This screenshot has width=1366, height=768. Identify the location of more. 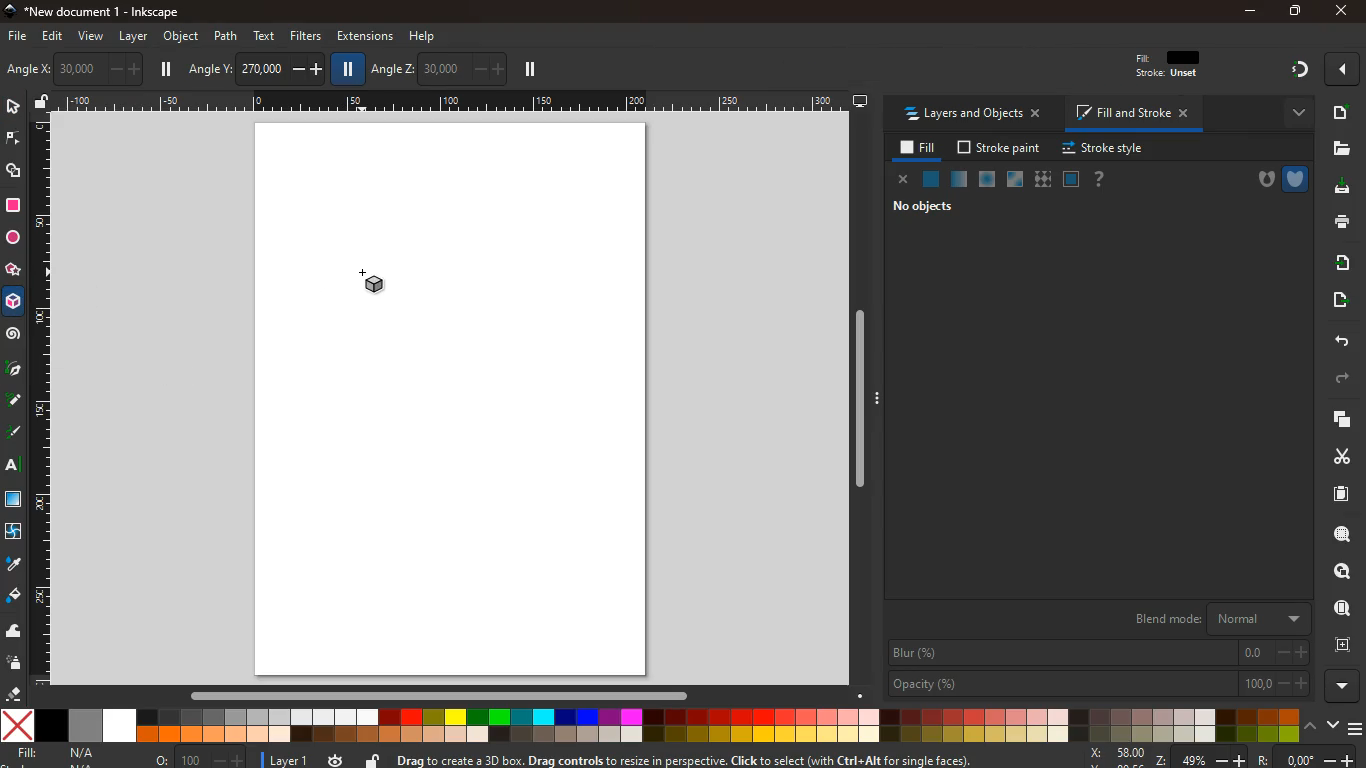
(1342, 69).